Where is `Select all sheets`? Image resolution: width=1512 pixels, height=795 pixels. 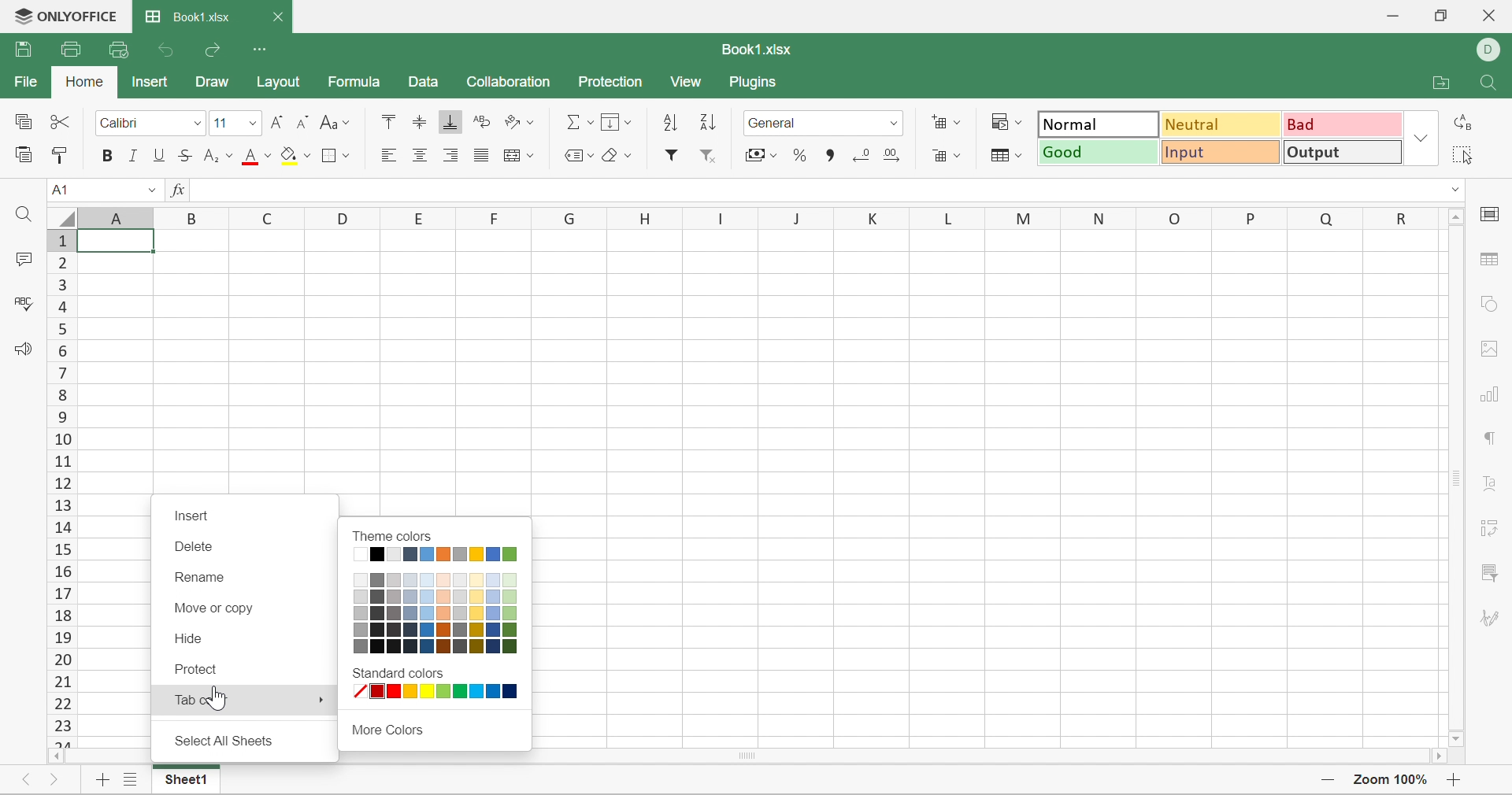 Select all sheets is located at coordinates (228, 741).